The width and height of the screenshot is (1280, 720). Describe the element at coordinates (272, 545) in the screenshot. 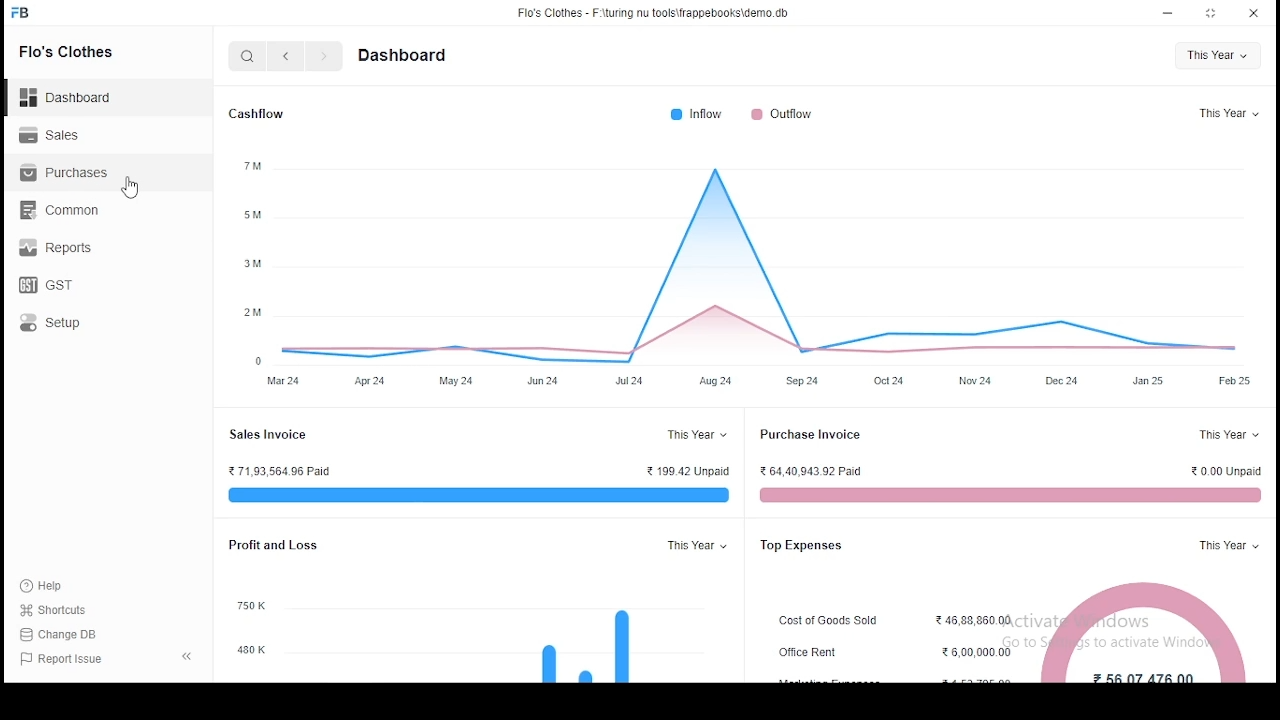

I see `profit and loss` at that location.